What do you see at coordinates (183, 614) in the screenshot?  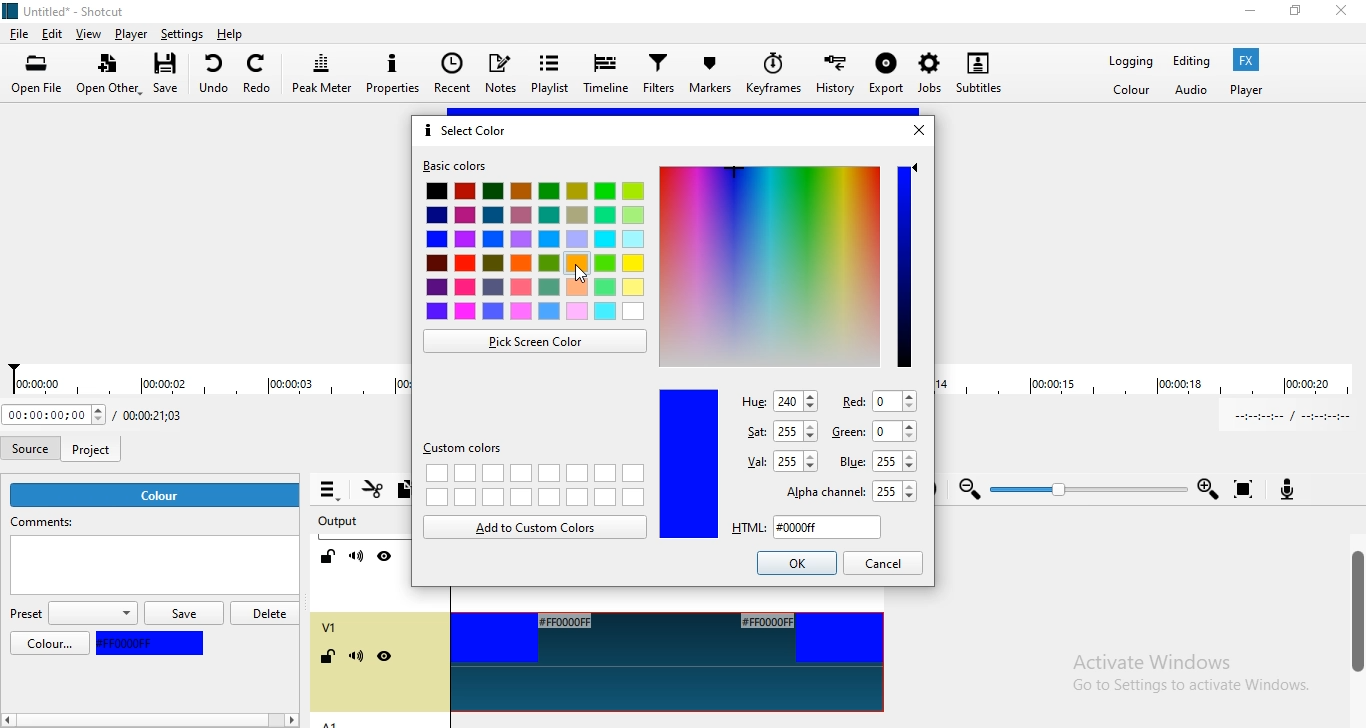 I see `save` at bounding box center [183, 614].